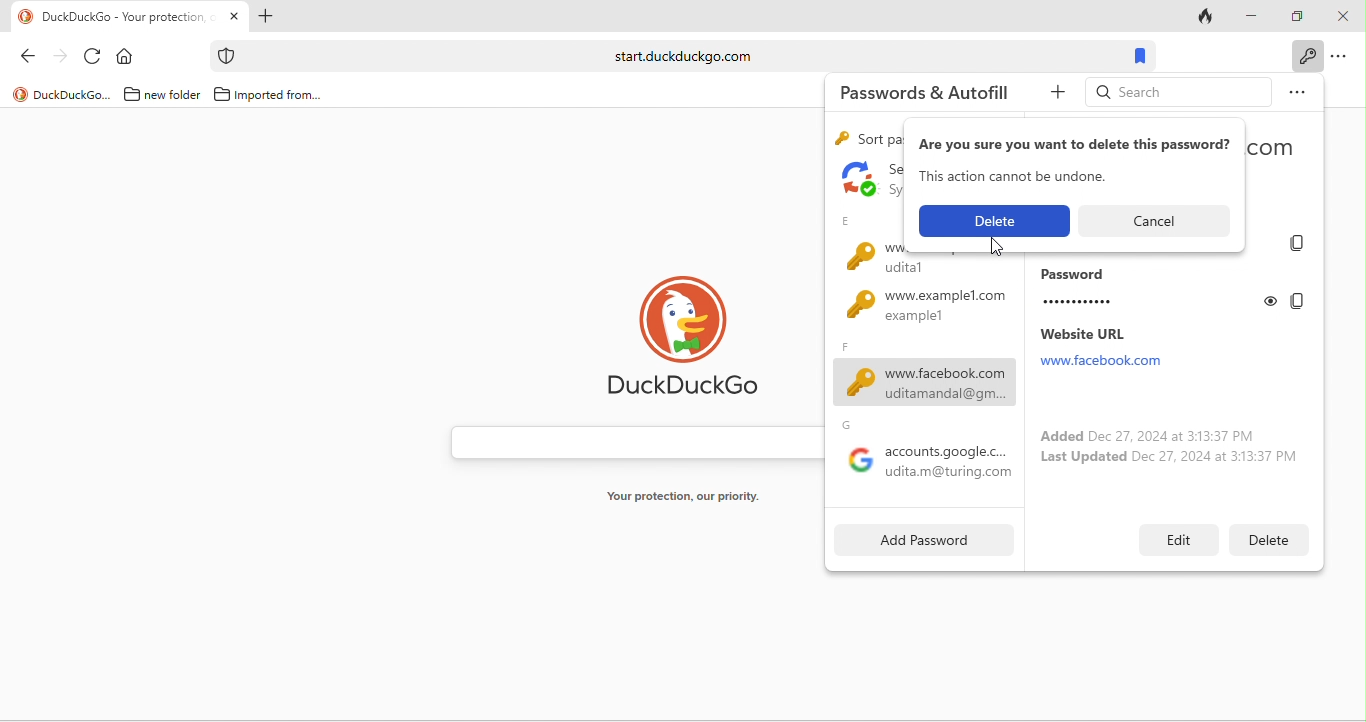  What do you see at coordinates (1301, 244) in the screenshot?
I see `copy` at bounding box center [1301, 244].